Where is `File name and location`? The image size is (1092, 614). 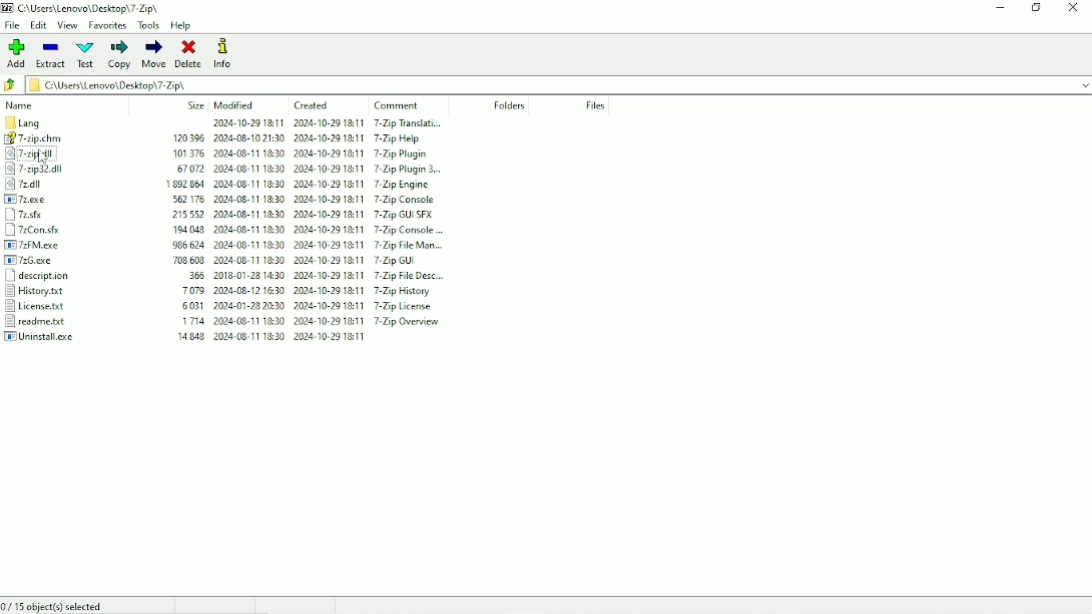
File name and location is located at coordinates (558, 85).